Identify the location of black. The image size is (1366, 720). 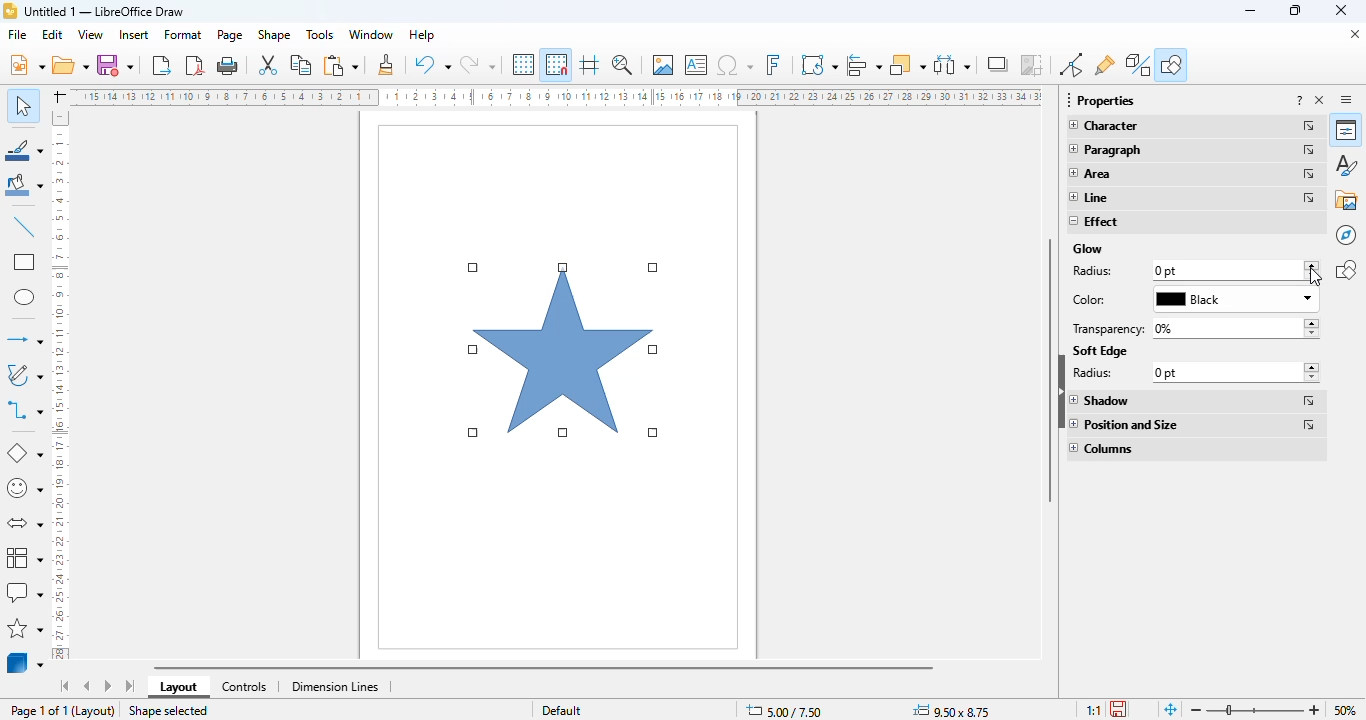
(1239, 298).